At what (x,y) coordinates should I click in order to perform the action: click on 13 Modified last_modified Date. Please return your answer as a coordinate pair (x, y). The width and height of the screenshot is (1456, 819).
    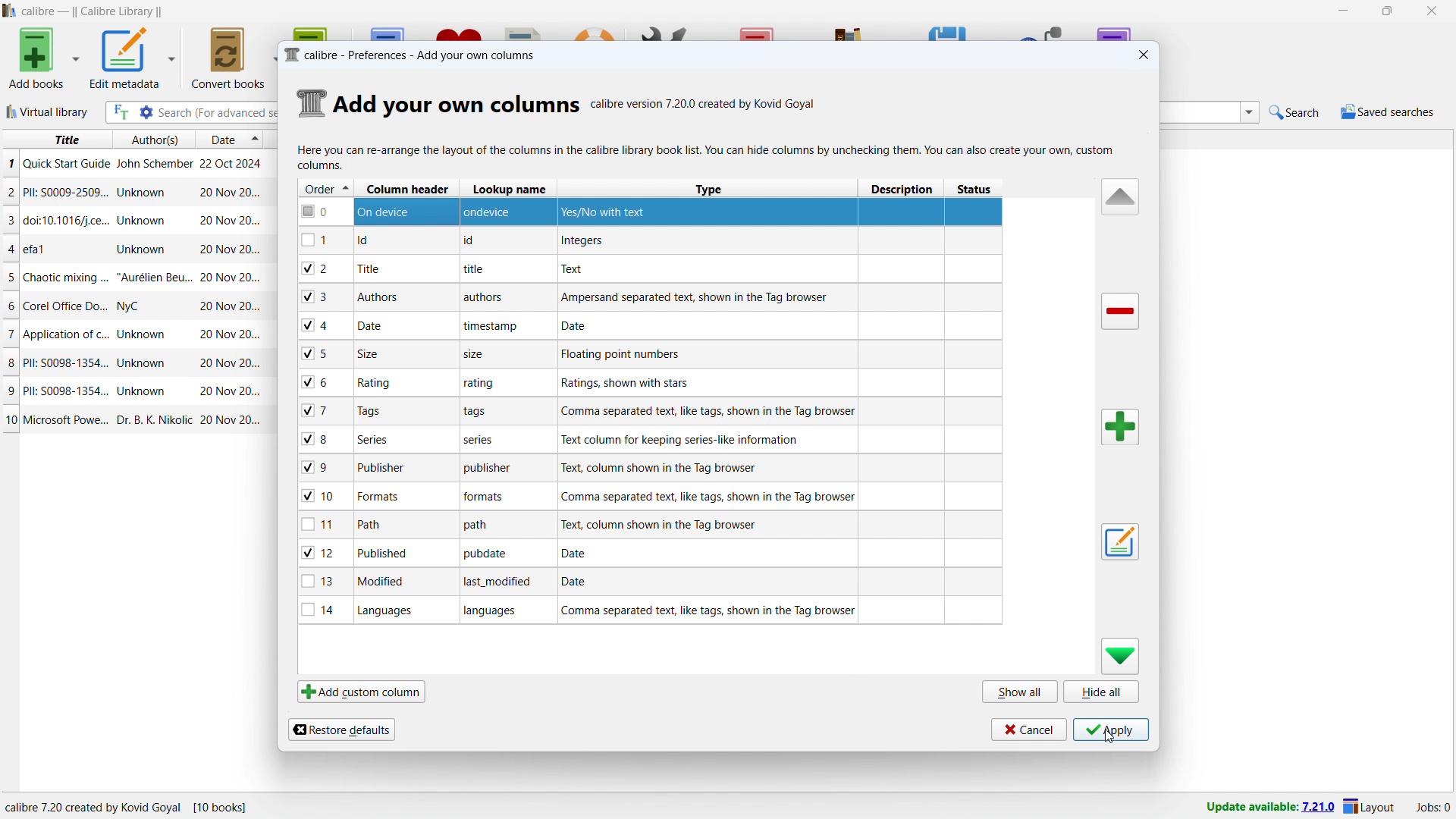
    Looking at the image, I should click on (647, 585).